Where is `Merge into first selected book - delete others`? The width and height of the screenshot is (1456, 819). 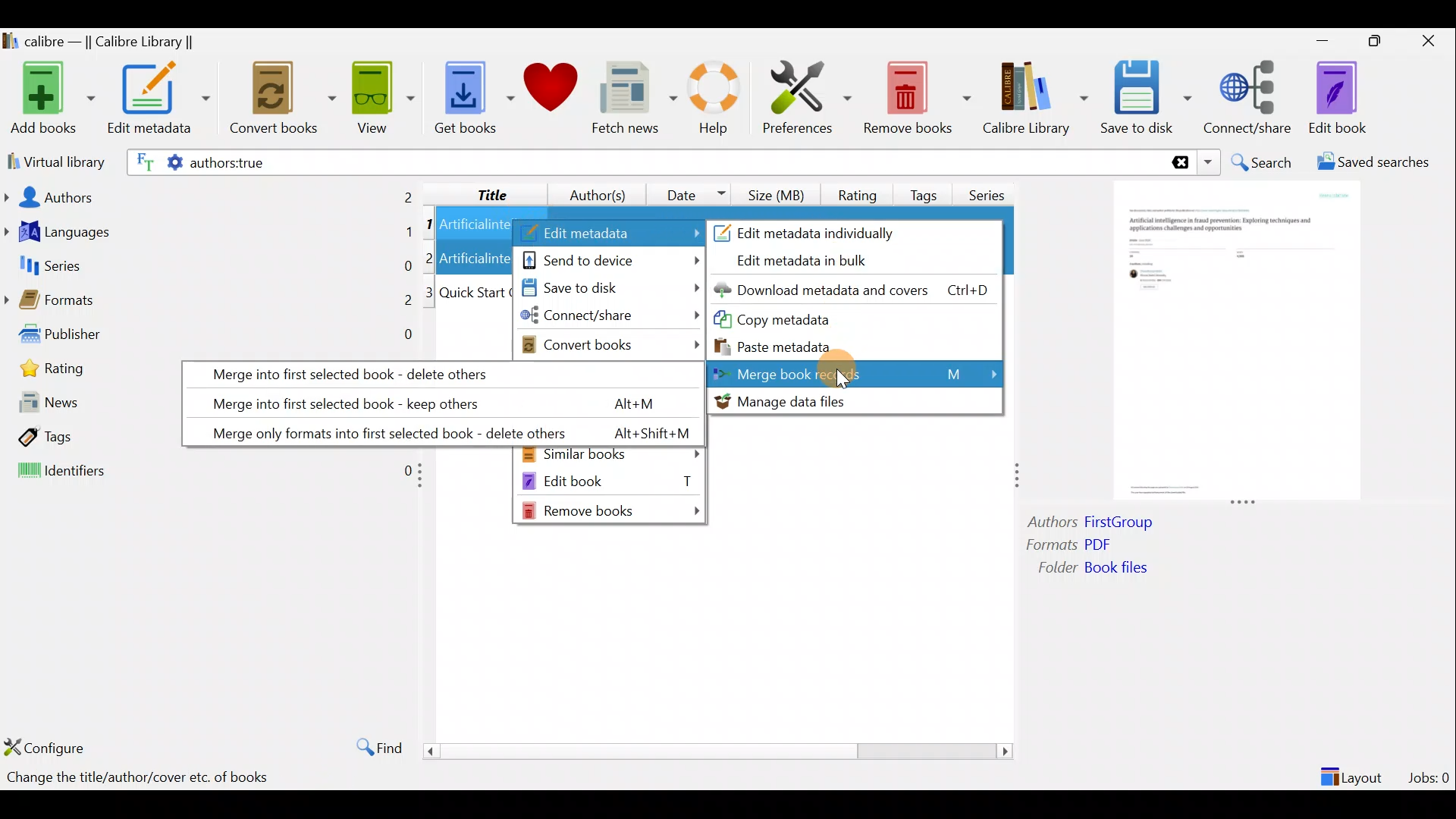
Merge into first selected book - delete others is located at coordinates (439, 373).